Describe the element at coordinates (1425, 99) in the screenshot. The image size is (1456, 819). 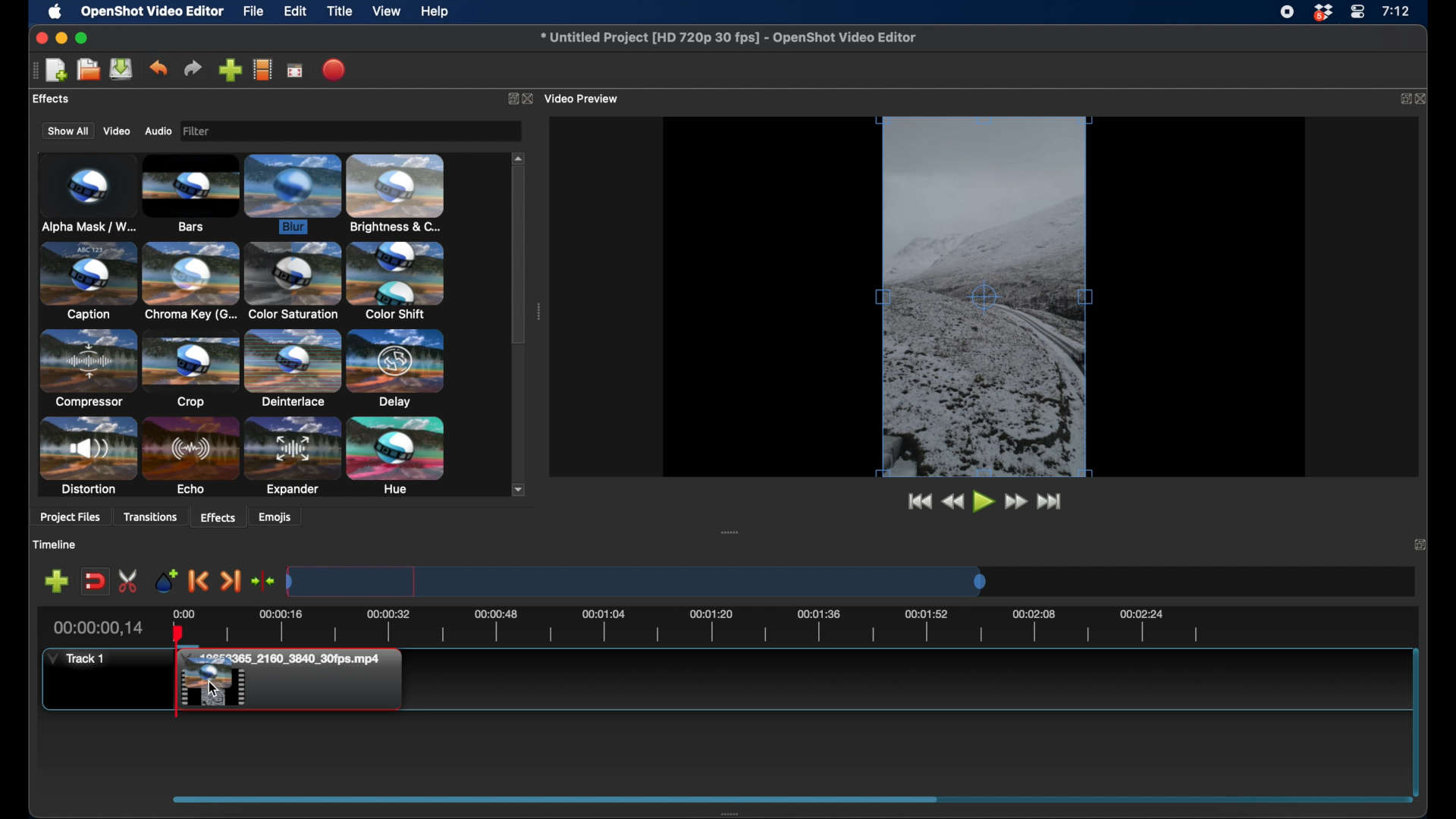
I see `close` at that location.